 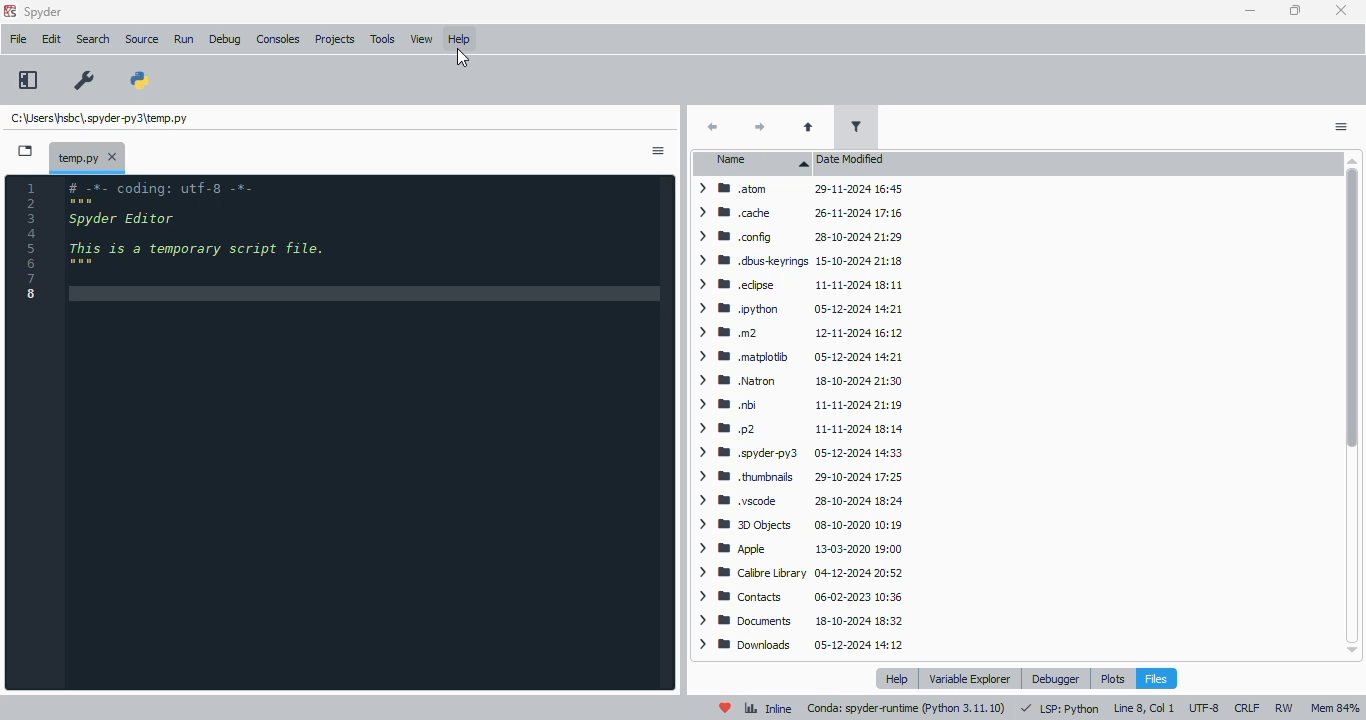 I want to click on search, so click(x=93, y=39).